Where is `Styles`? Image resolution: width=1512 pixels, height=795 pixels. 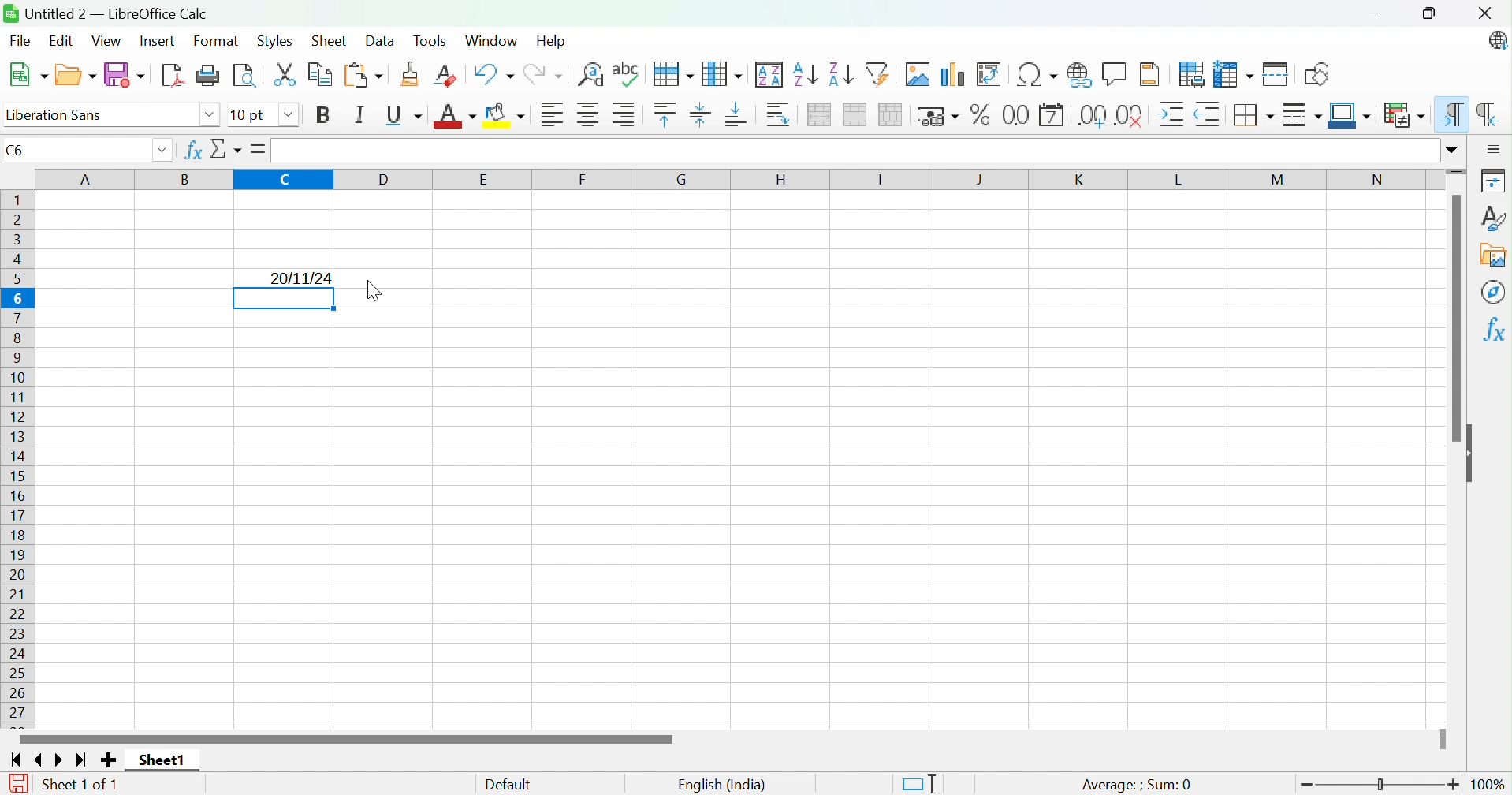 Styles is located at coordinates (275, 39).